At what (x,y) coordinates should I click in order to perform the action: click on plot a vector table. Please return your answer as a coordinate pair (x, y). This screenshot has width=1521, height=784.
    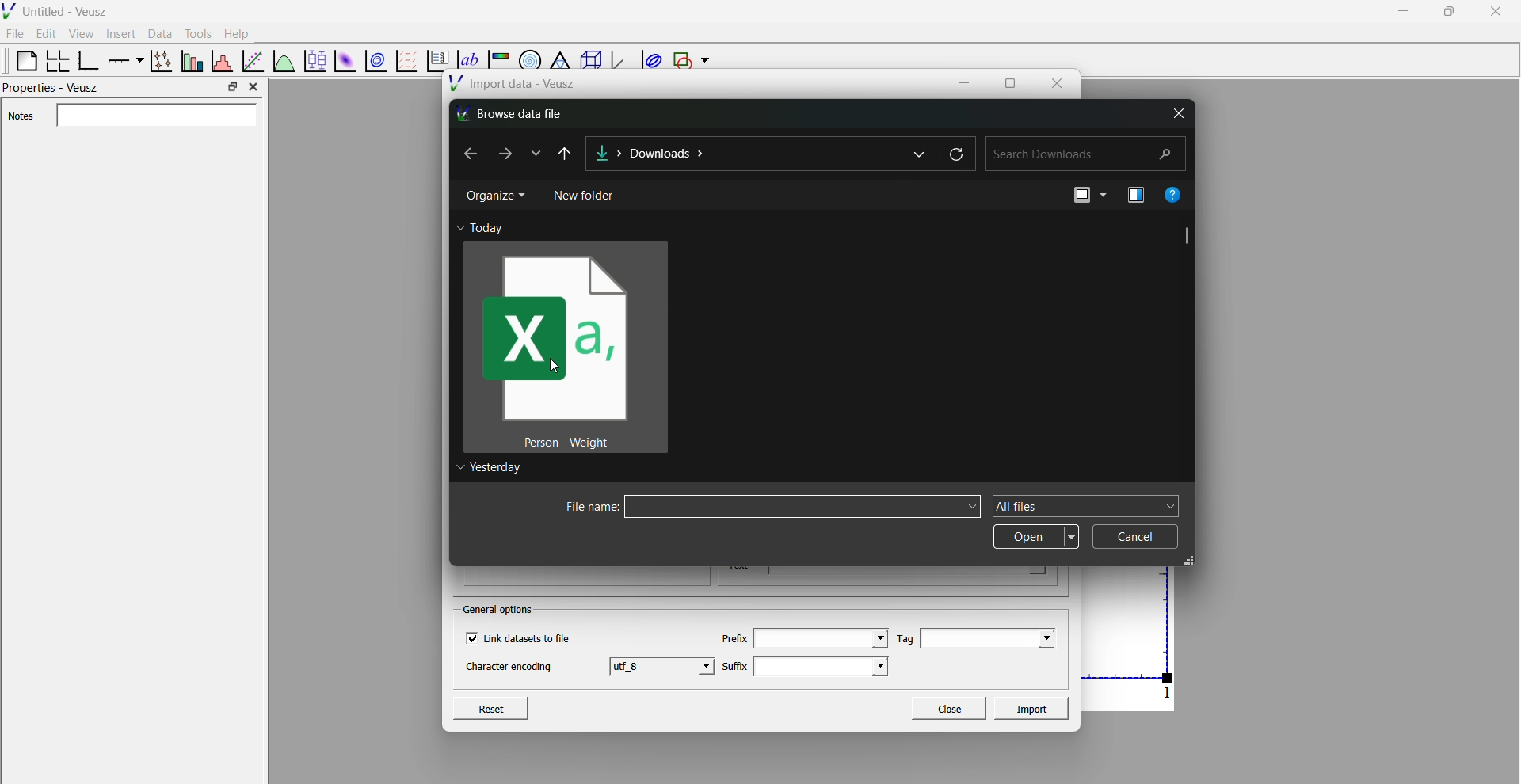
    Looking at the image, I should click on (405, 60).